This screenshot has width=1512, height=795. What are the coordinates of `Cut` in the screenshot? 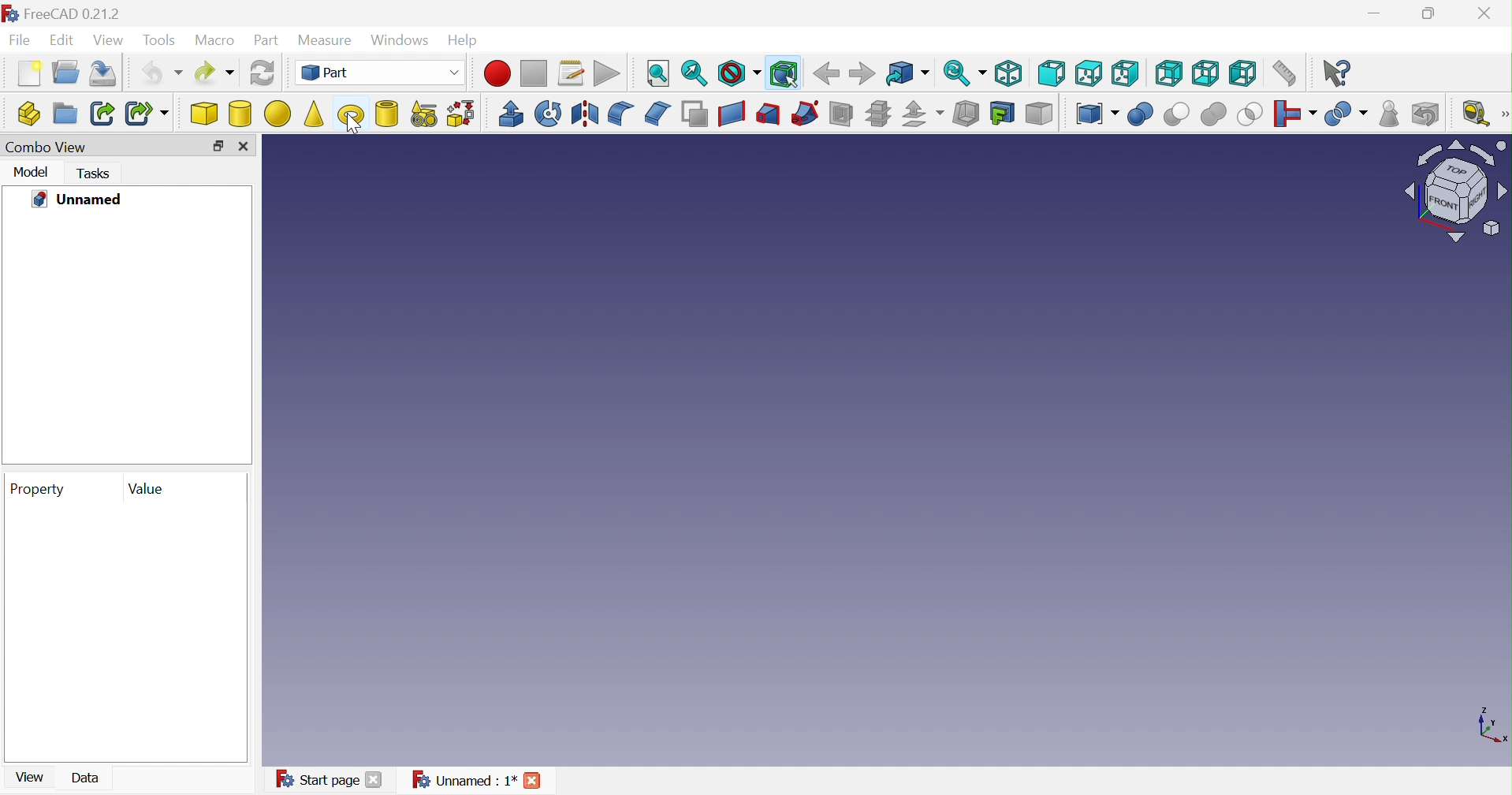 It's located at (1177, 114).